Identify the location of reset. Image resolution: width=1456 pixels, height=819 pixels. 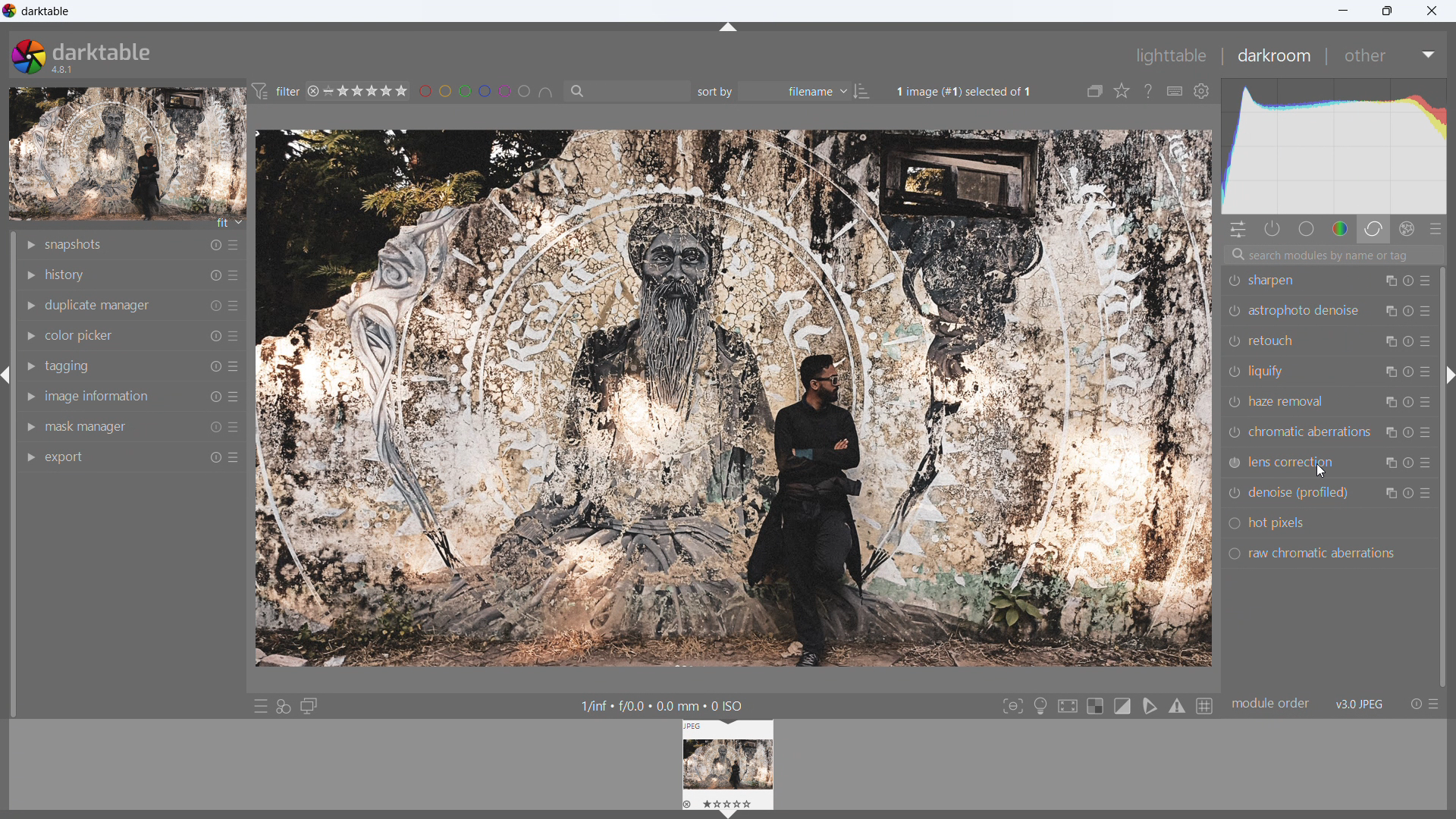
(1410, 436).